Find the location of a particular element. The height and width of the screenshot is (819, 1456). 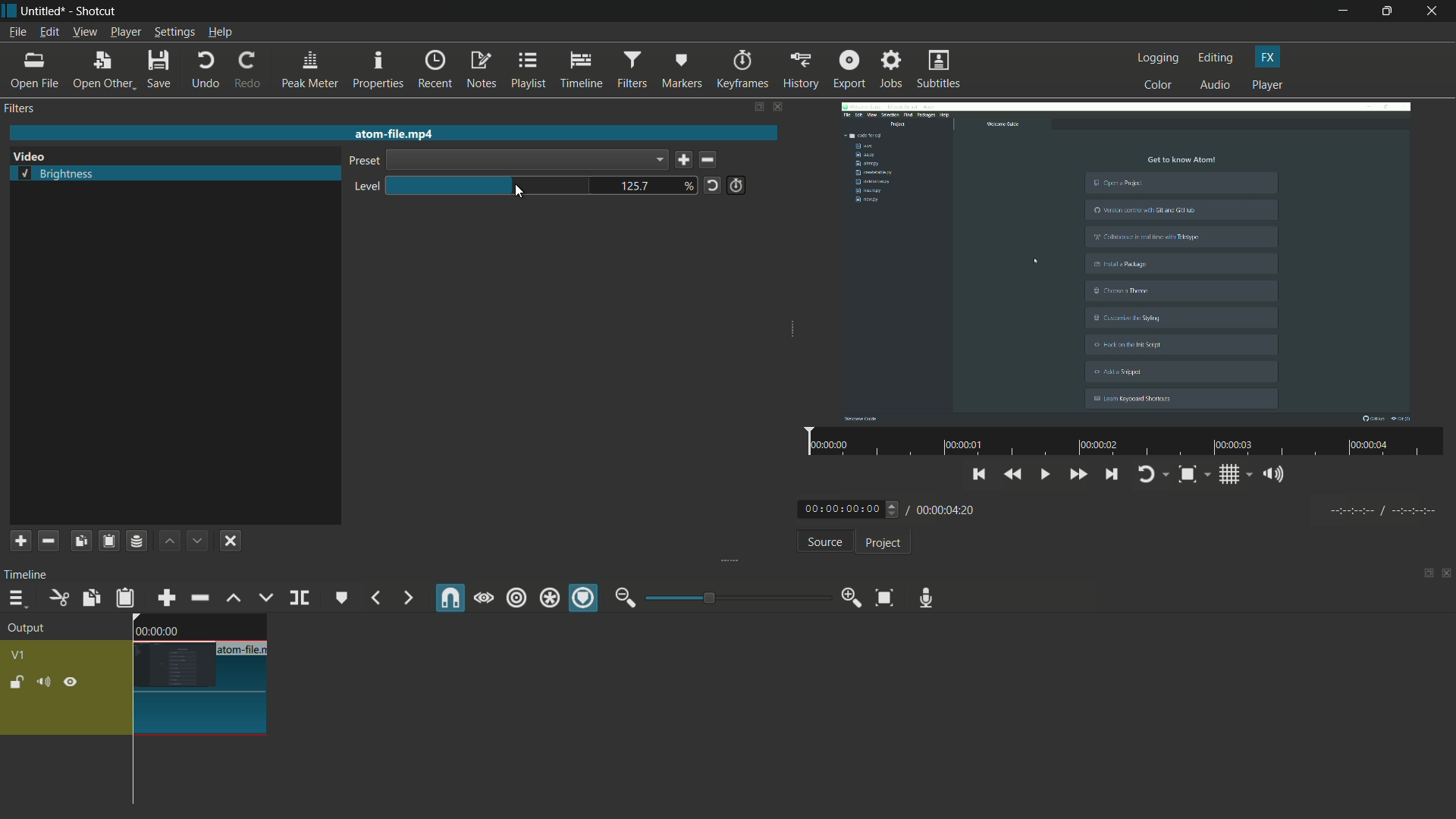

playlist is located at coordinates (529, 70).